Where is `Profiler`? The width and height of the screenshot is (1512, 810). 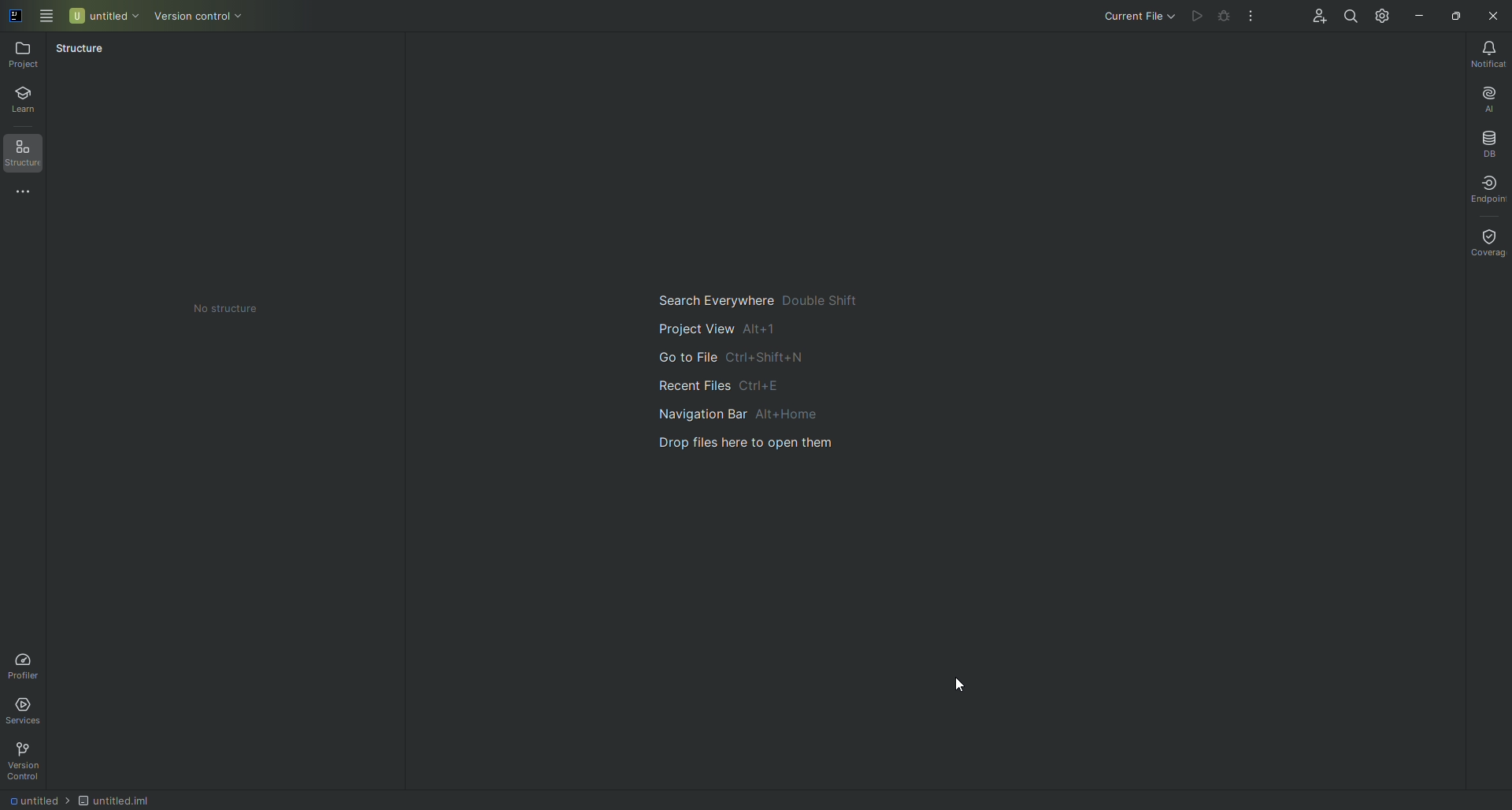
Profiler is located at coordinates (28, 663).